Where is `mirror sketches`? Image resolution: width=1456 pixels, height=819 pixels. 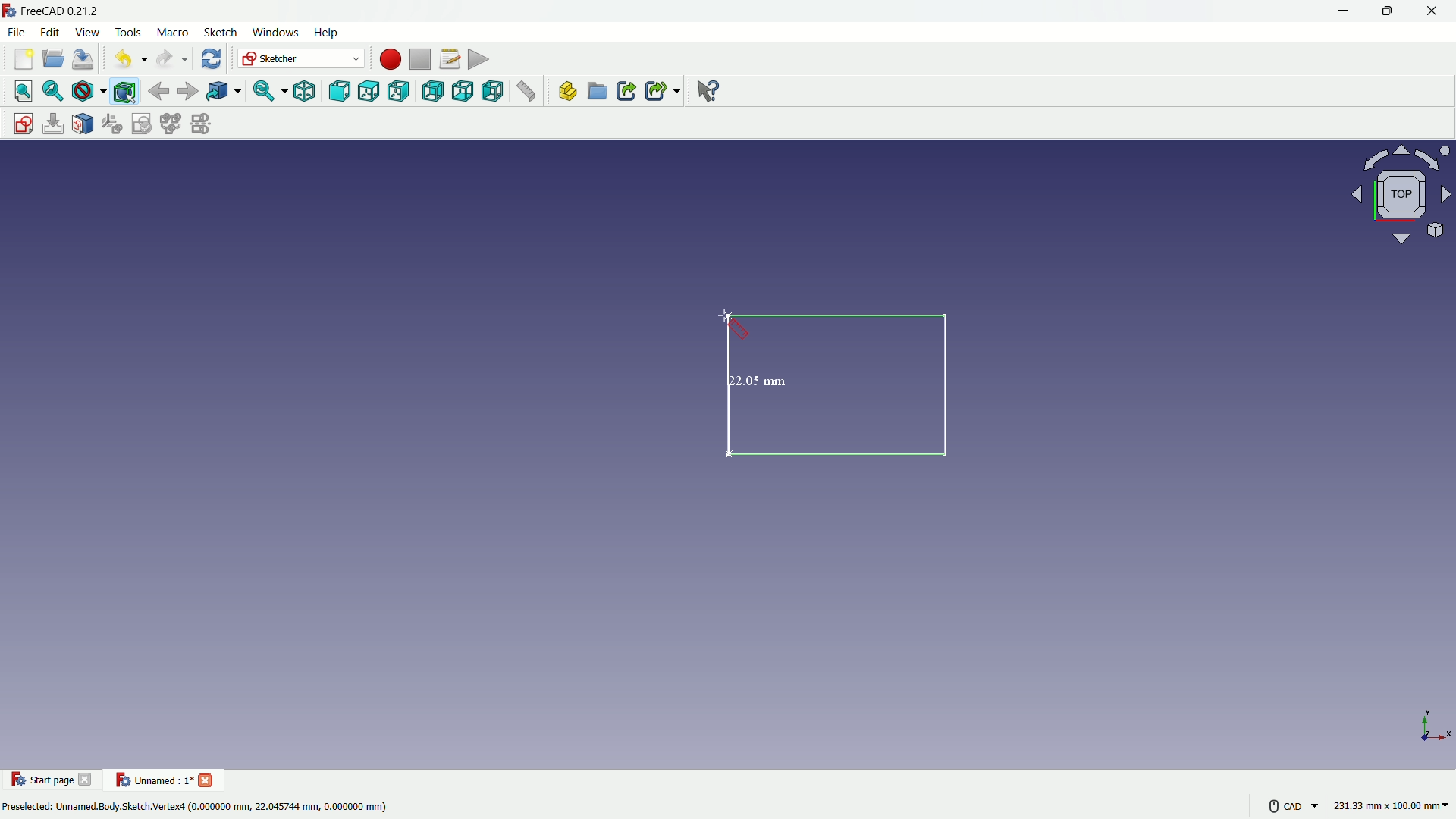
mirror sketches is located at coordinates (200, 125).